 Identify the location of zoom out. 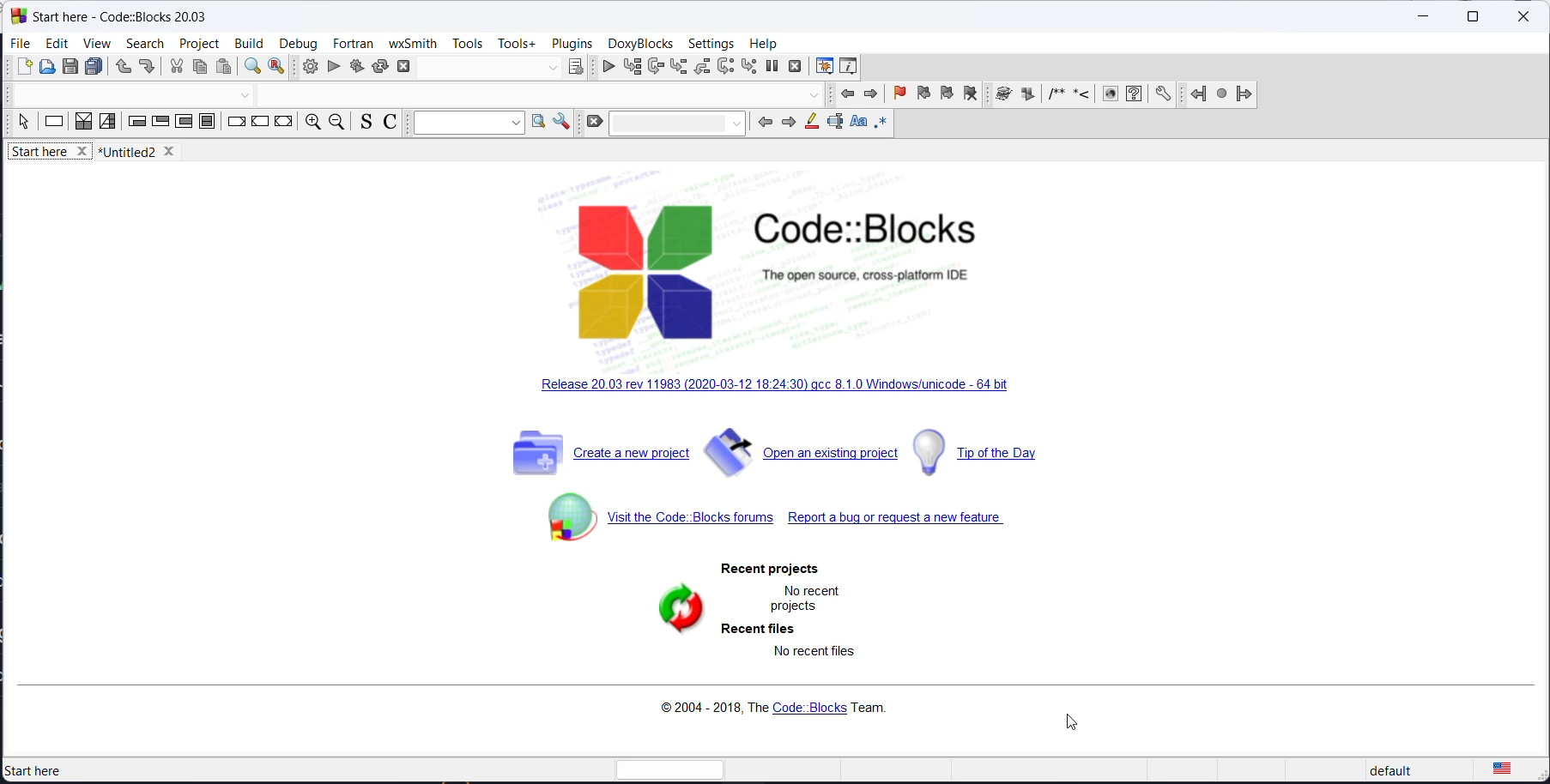
(336, 124).